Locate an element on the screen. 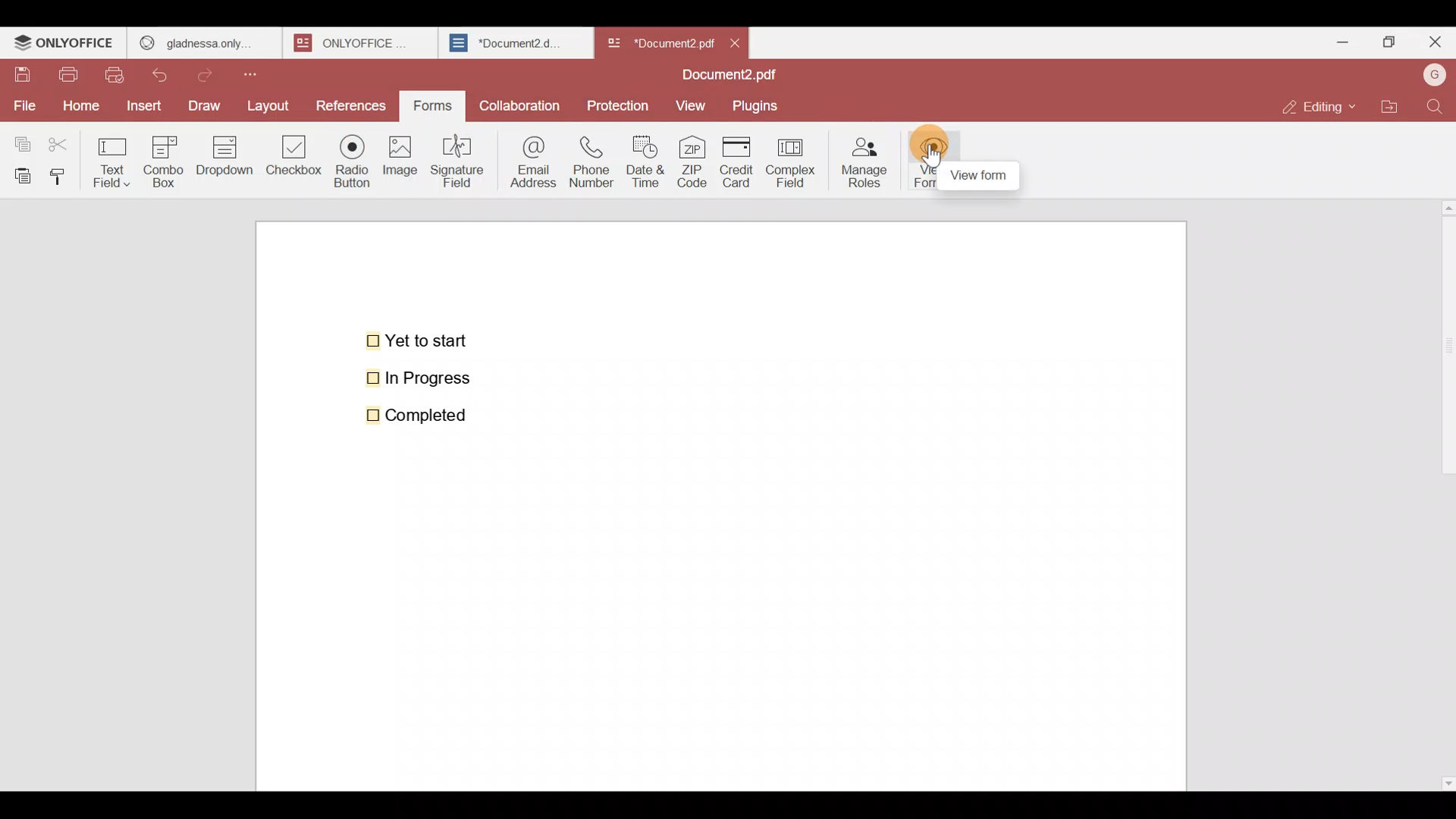  Credit card is located at coordinates (733, 163).